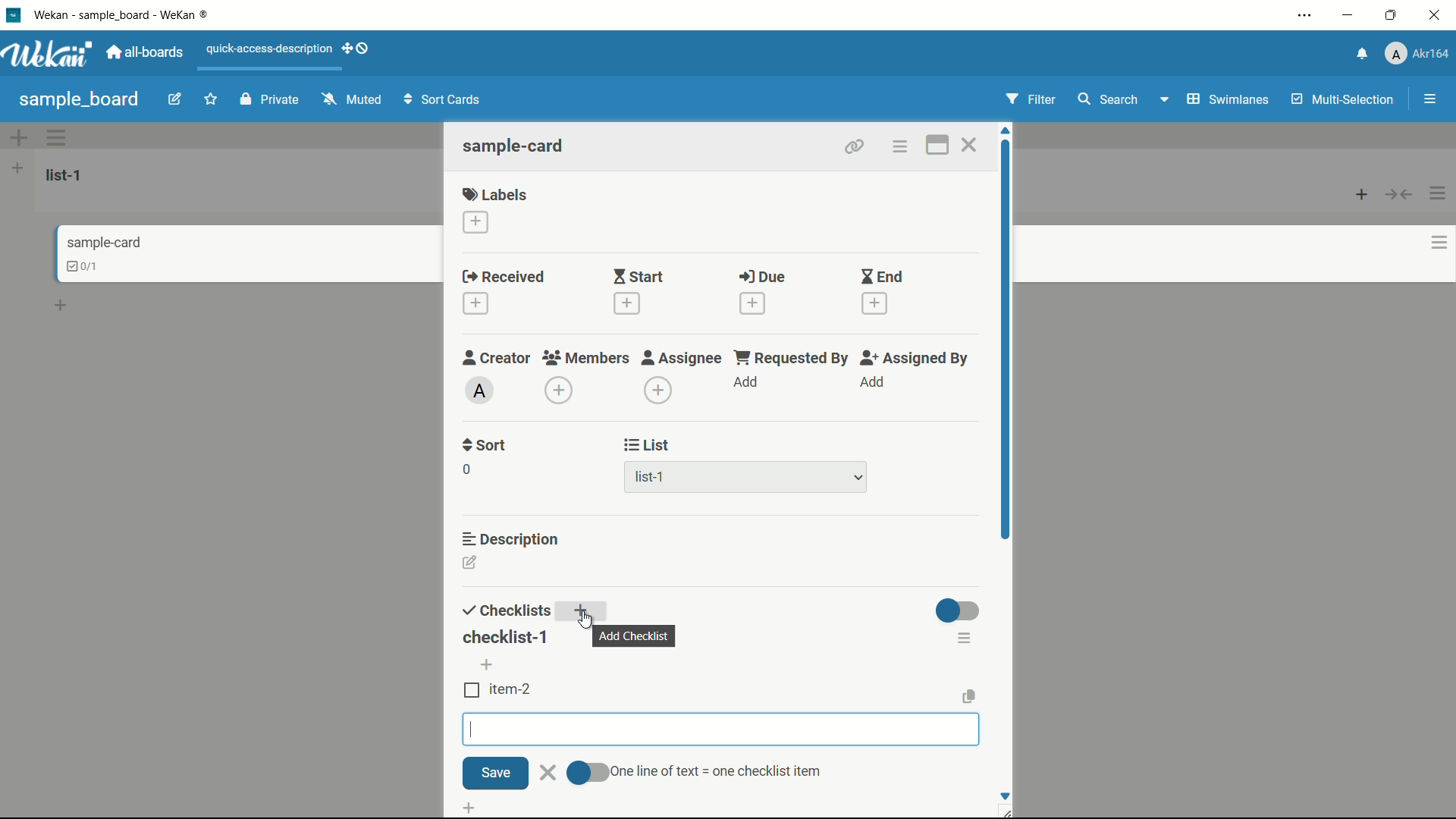  Describe the element at coordinates (625, 303) in the screenshot. I see `add date` at that location.